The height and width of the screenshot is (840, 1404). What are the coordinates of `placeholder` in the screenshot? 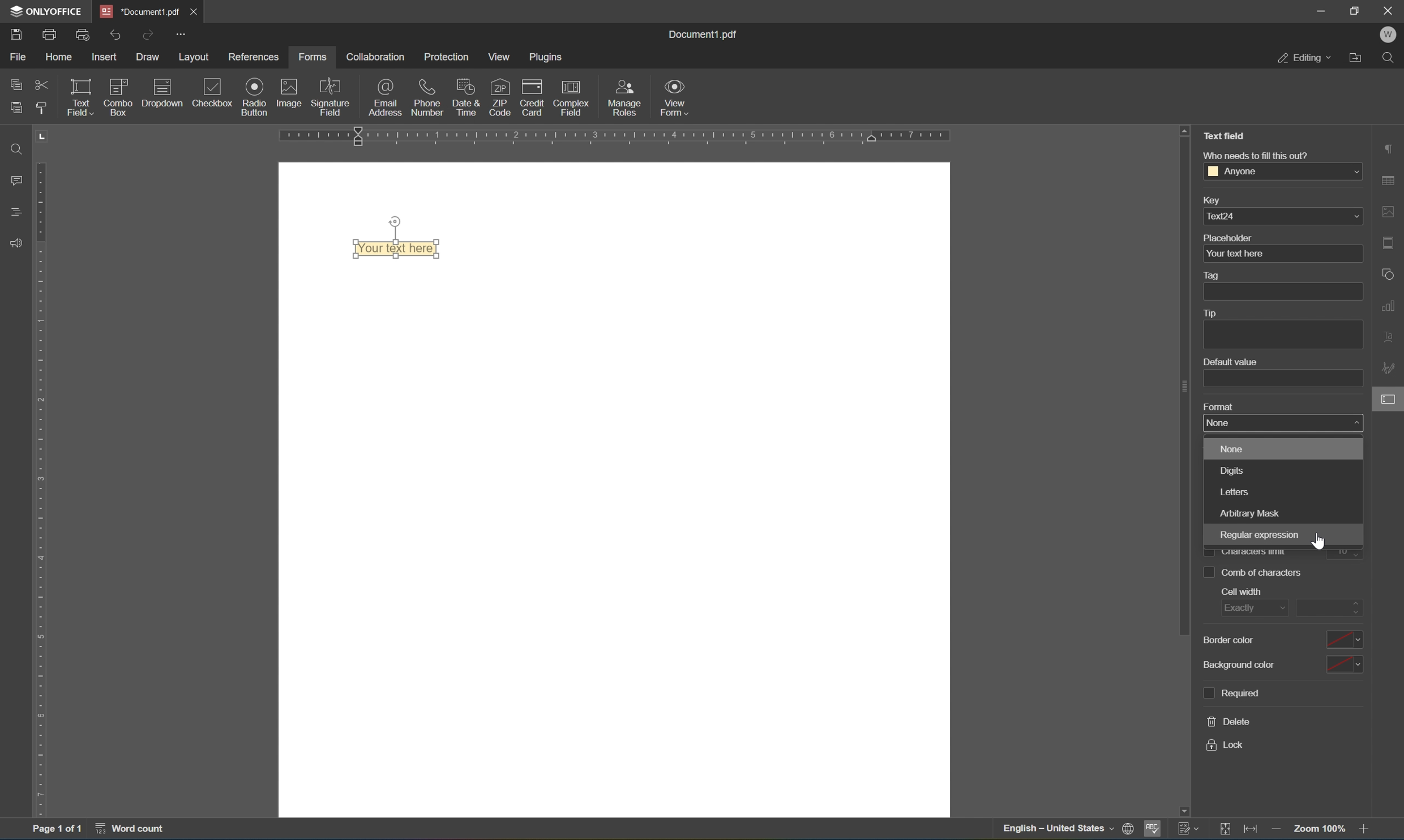 It's located at (1228, 238).